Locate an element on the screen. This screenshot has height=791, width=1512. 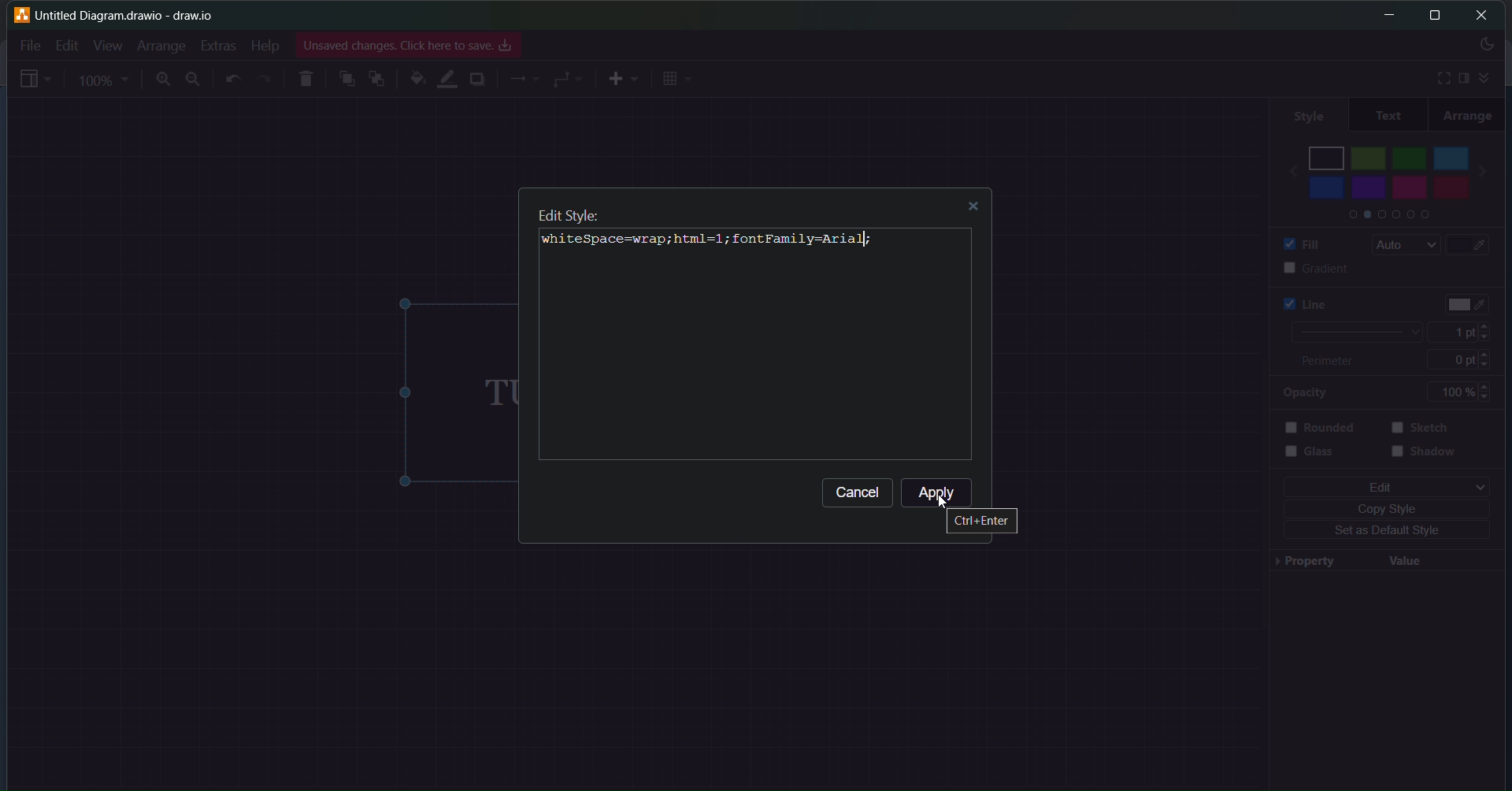
edit is located at coordinates (1382, 486).